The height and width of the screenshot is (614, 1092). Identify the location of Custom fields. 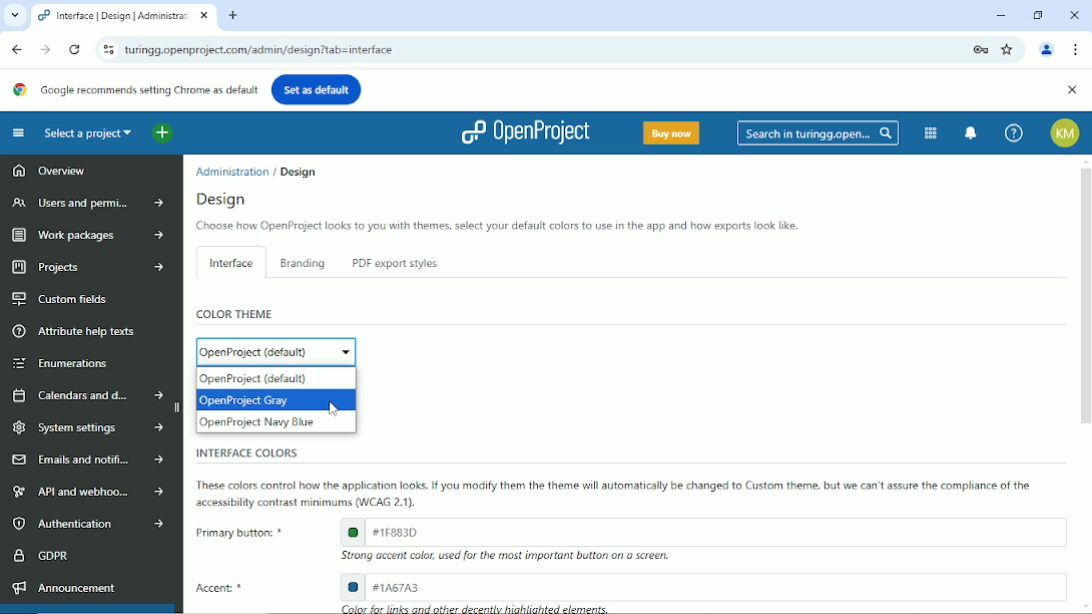
(62, 299).